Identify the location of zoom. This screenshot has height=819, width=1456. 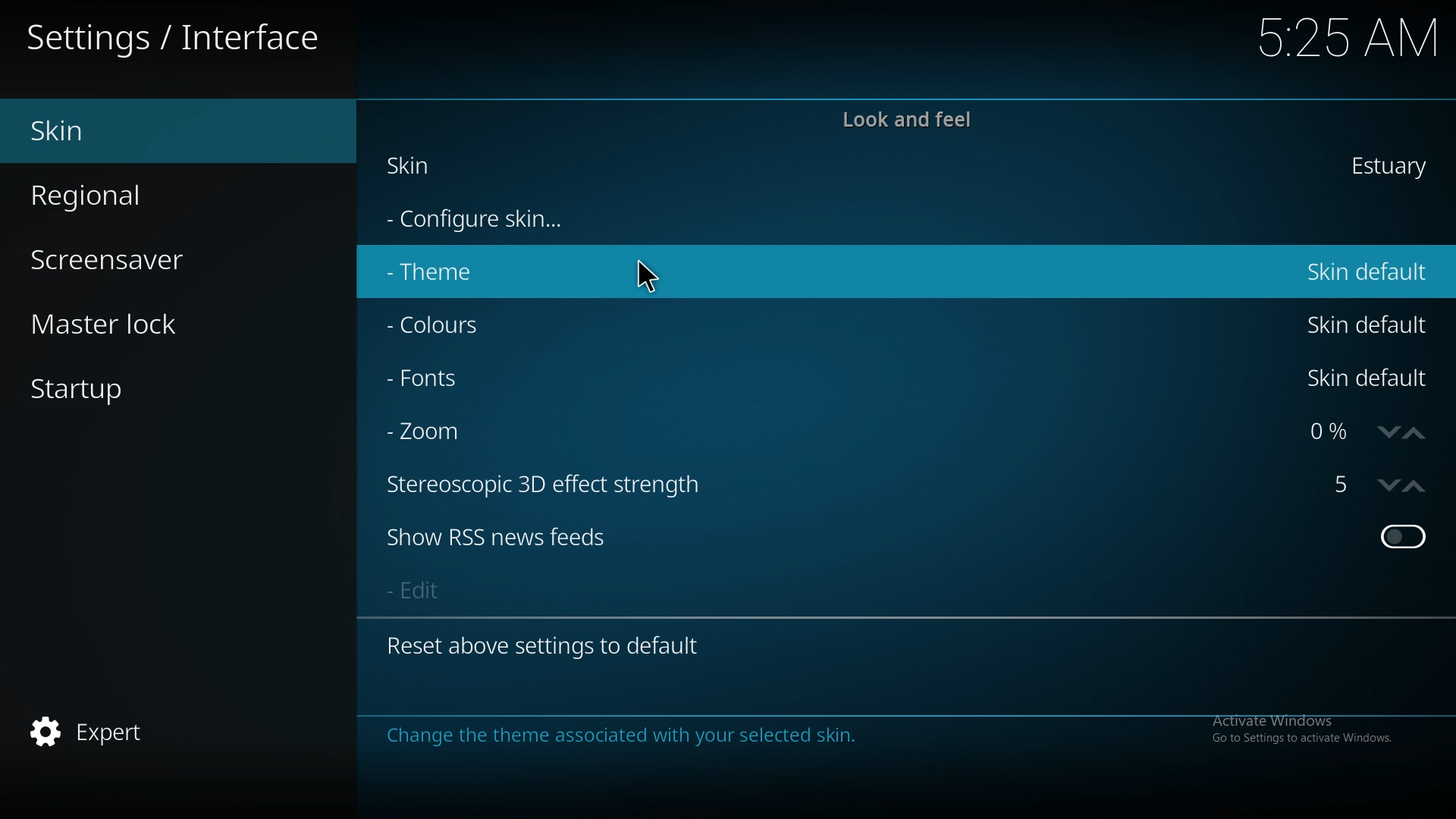
(474, 432).